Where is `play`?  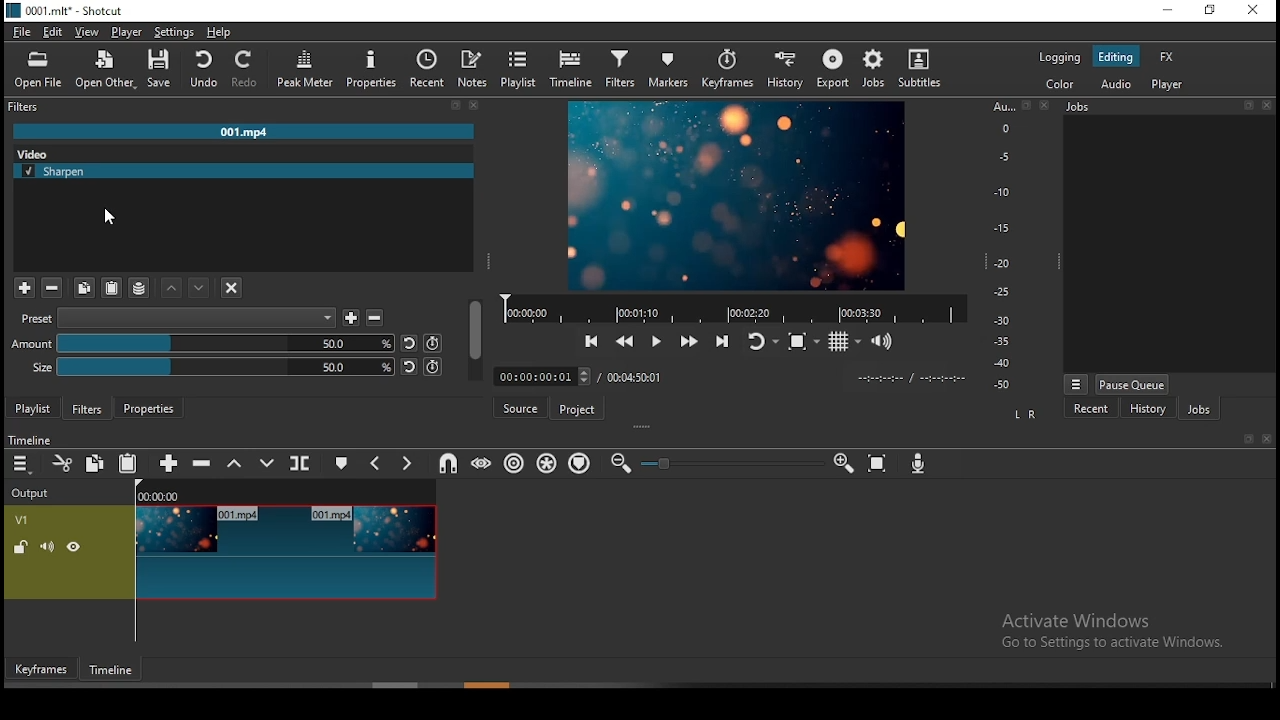 play is located at coordinates (660, 340).